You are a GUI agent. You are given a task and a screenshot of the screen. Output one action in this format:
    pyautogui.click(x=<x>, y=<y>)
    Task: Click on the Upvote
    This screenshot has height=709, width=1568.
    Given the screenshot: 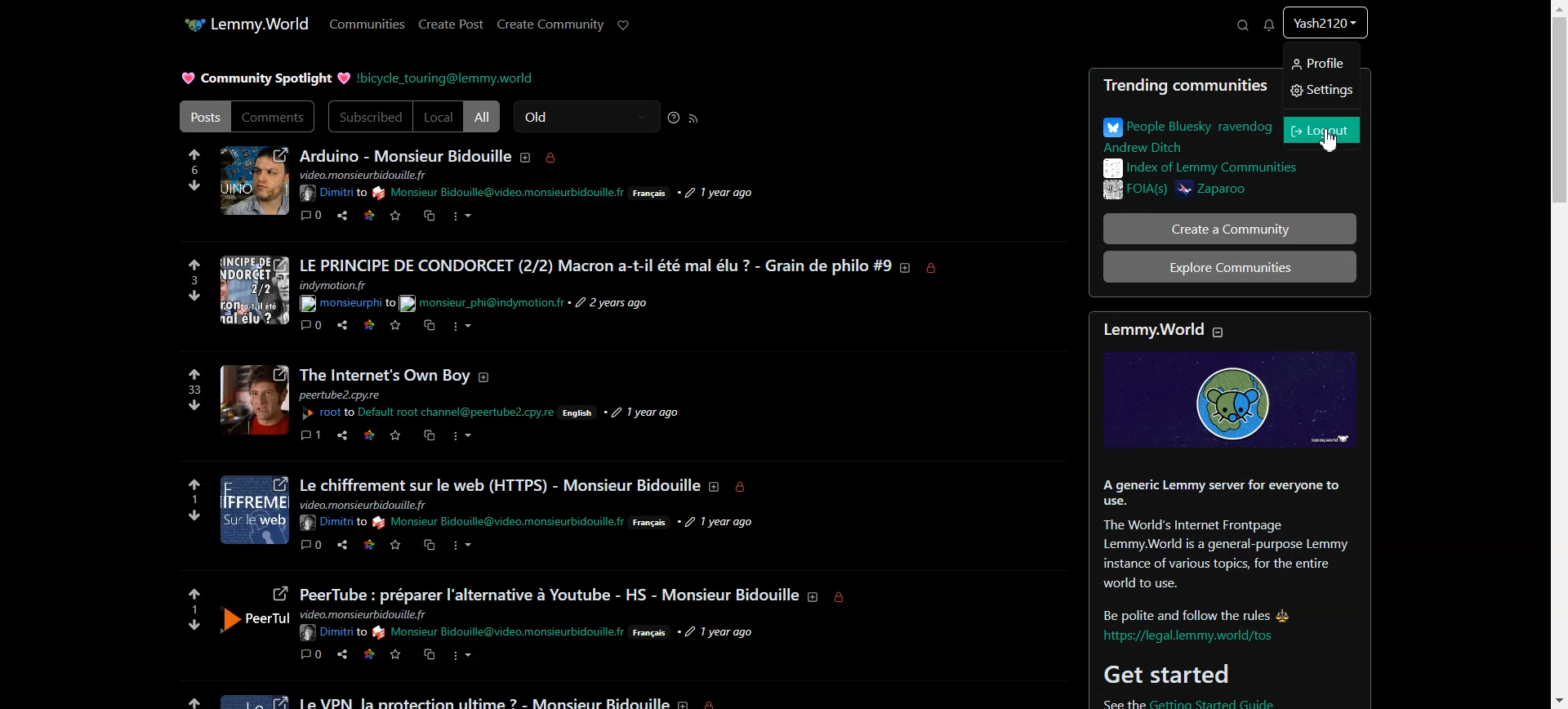 What is the action you would take?
    pyautogui.click(x=194, y=154)
    